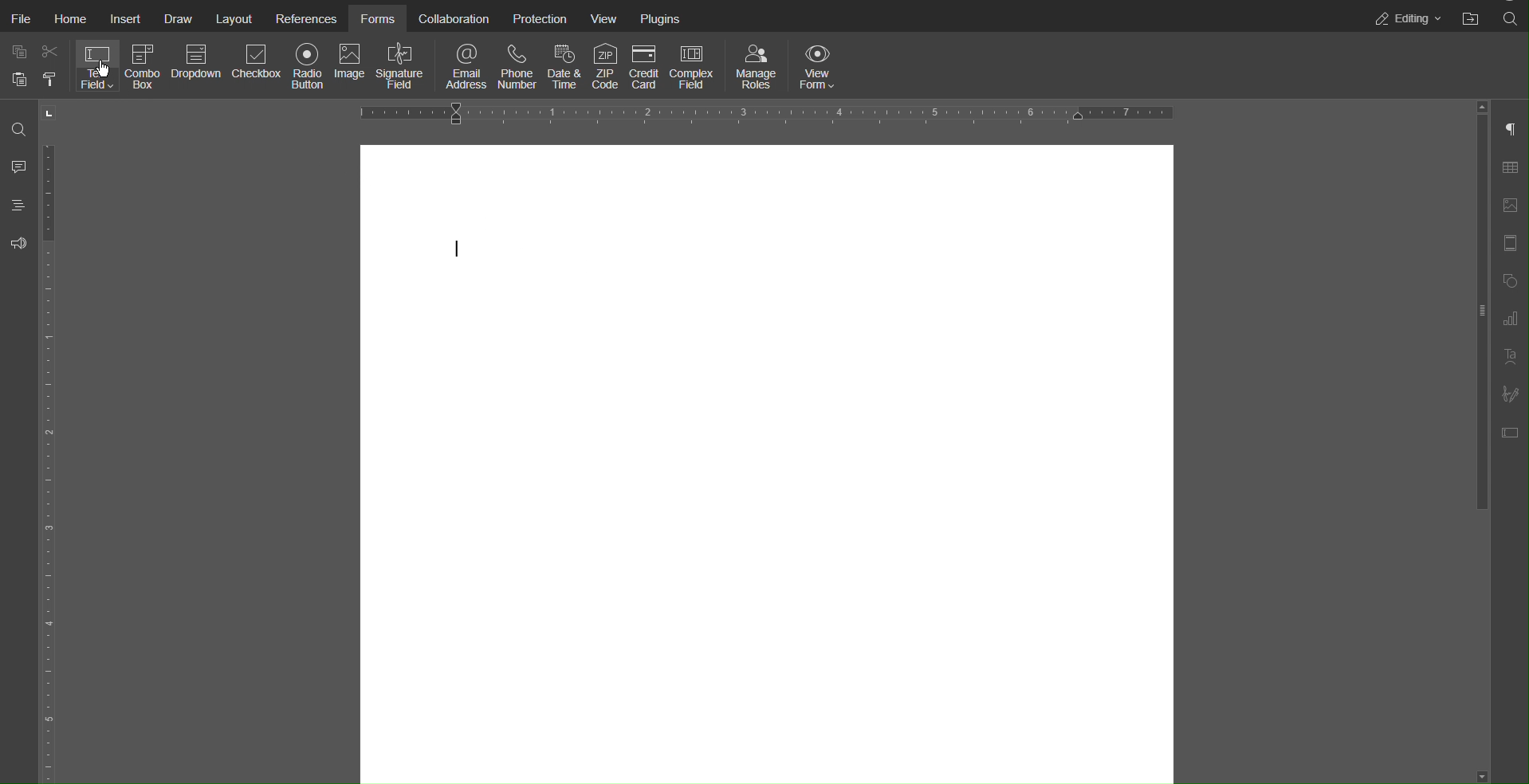  What do you see at coordinates (517, 66) in the screenshot?
I see `Phone Number` at bounding box center [517, 66].